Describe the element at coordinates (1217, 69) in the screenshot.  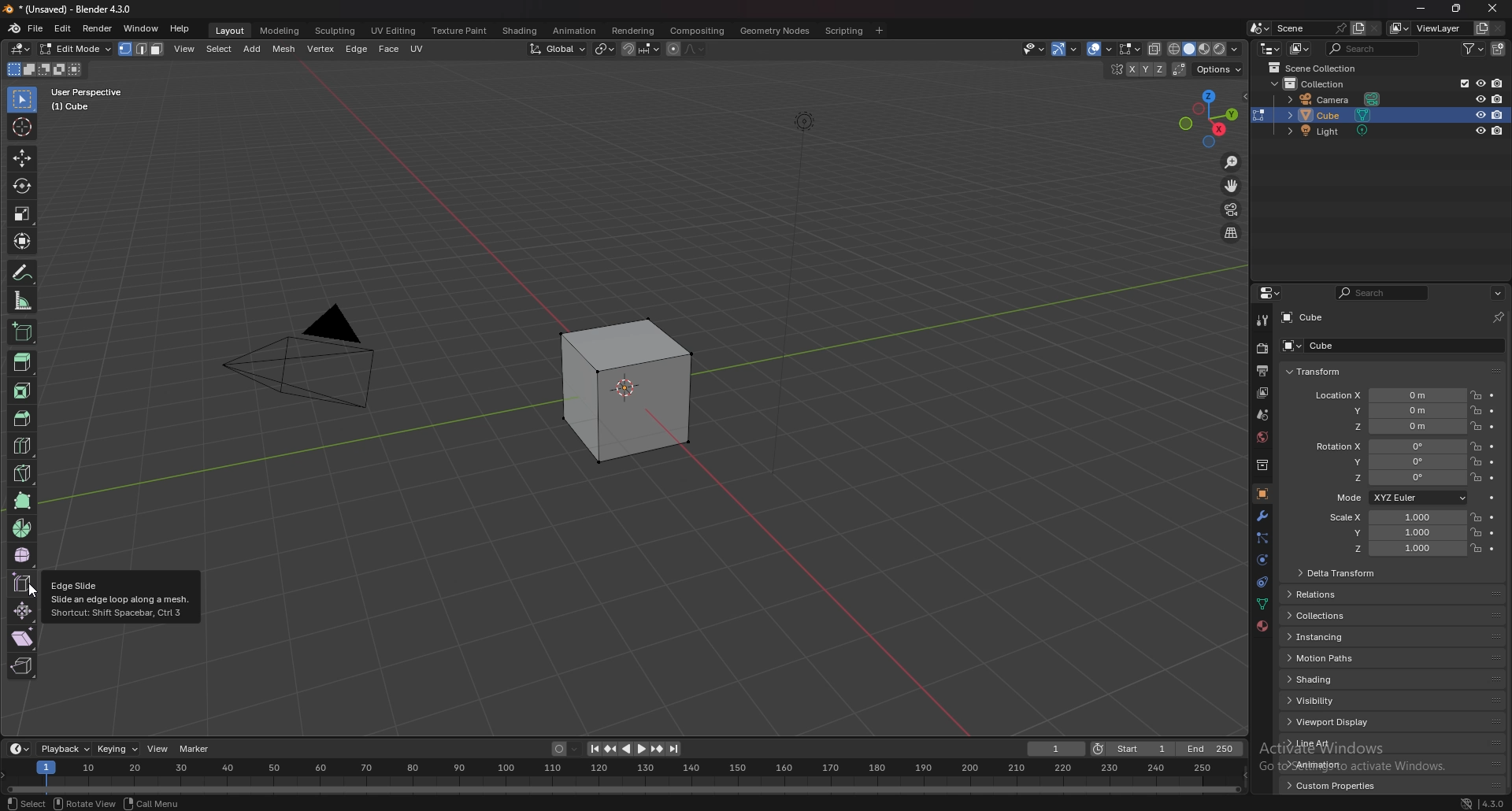
I see `options` at that location.